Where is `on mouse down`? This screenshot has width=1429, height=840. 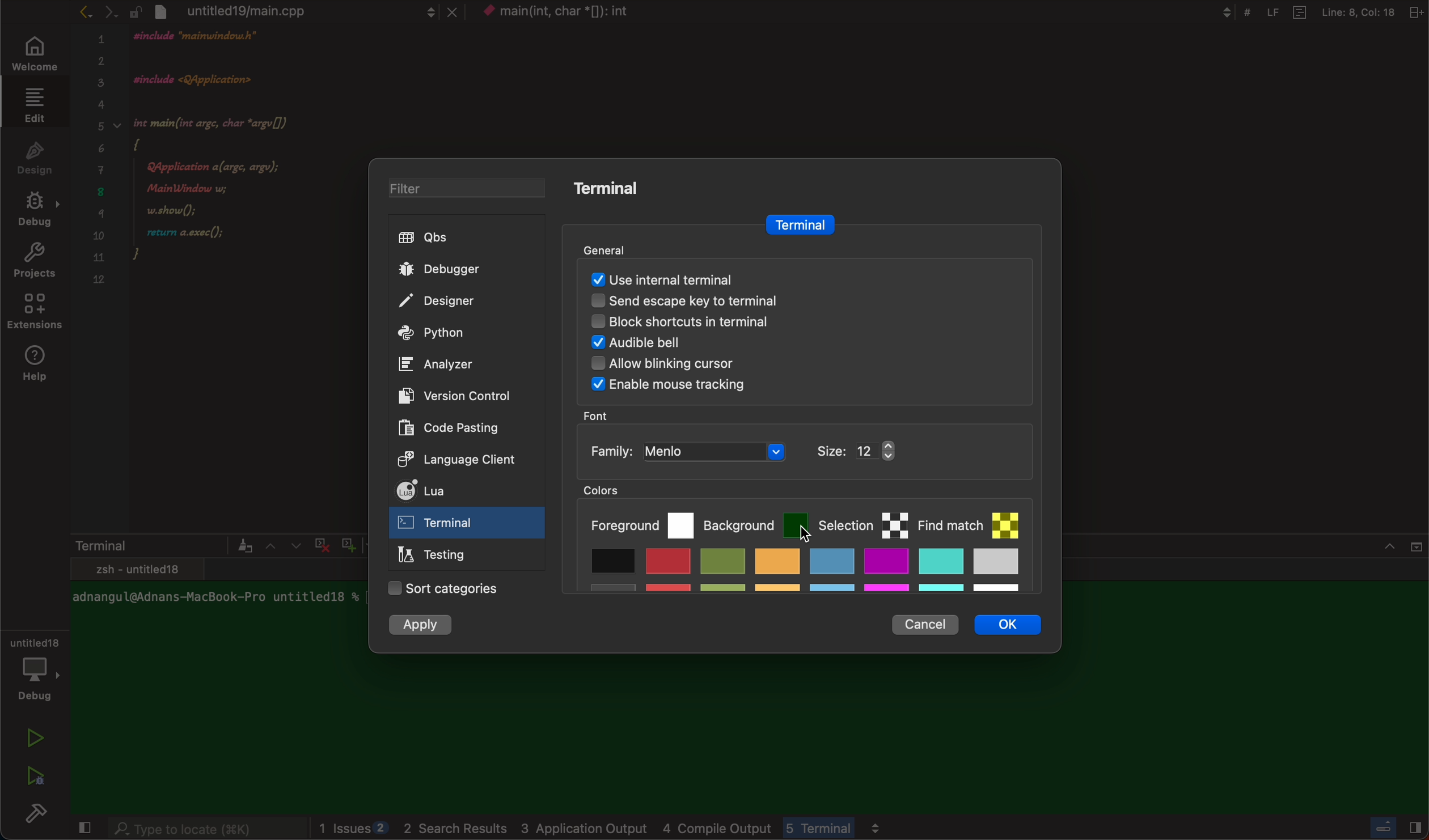
on mouse down is located at coordinates (467, 525).